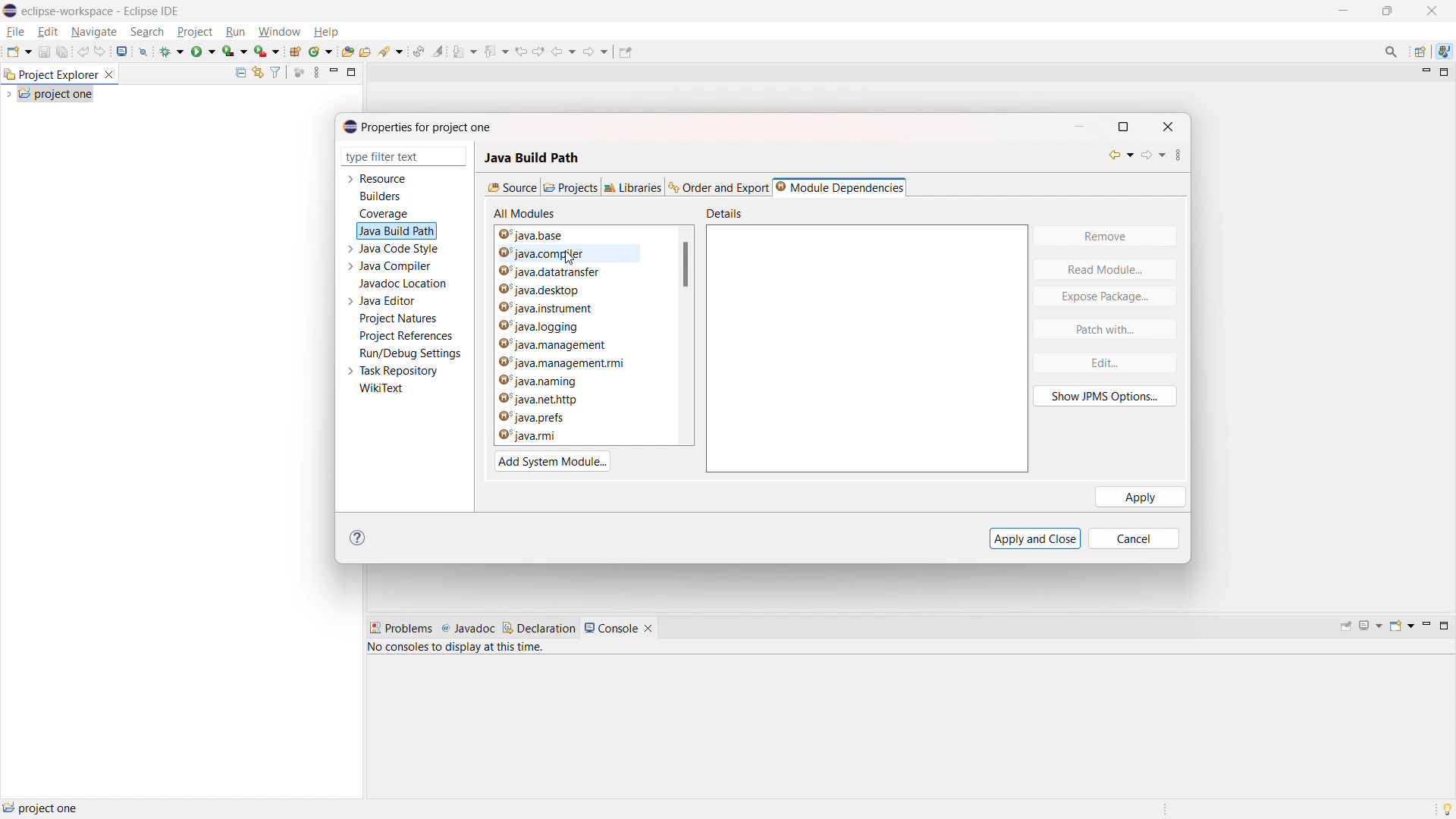  What do you see at coordinates (1103, 362) in the screenshot?
I see `edit` at bounding box center [1103, 362].